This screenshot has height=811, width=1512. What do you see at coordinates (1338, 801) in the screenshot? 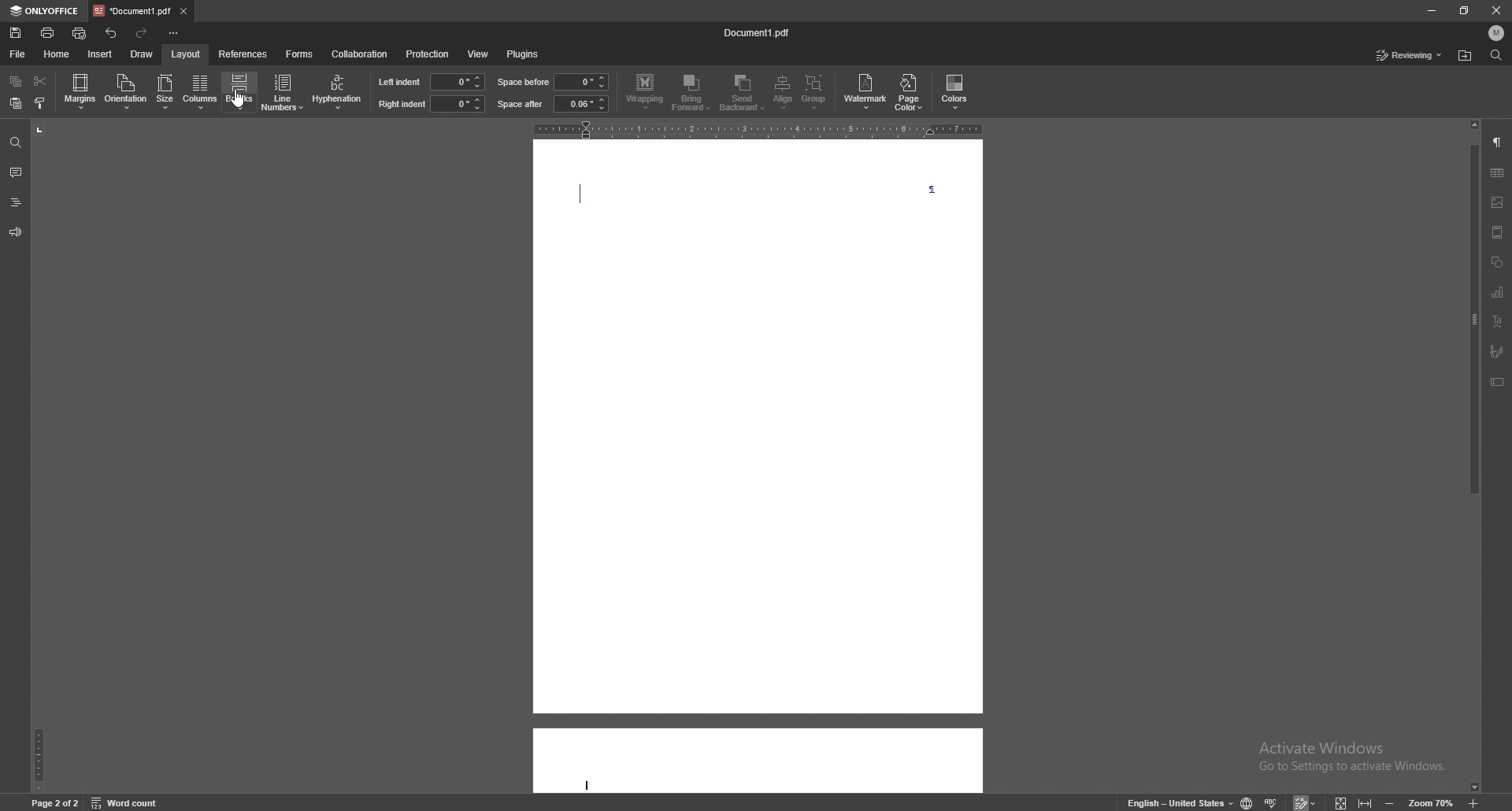
I see `fit to screen` at bounding box center [1338, 801].